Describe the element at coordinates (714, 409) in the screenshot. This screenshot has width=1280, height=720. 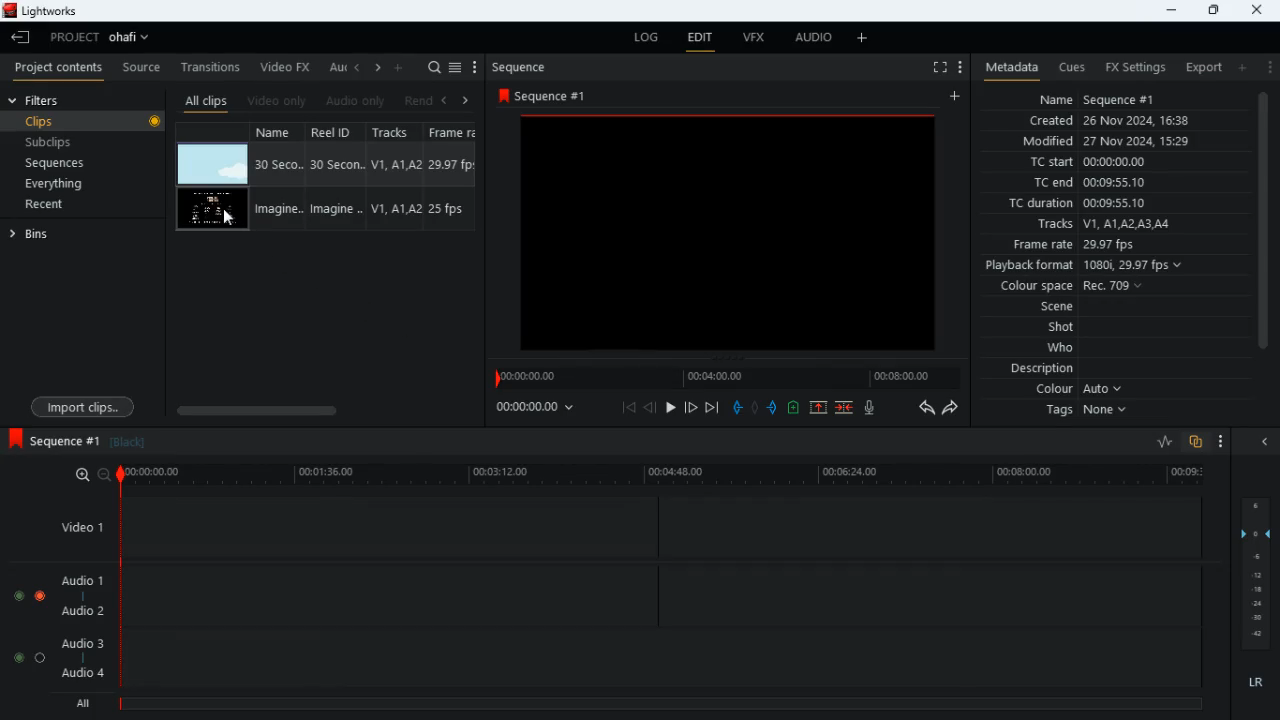
I see `end` at that location.